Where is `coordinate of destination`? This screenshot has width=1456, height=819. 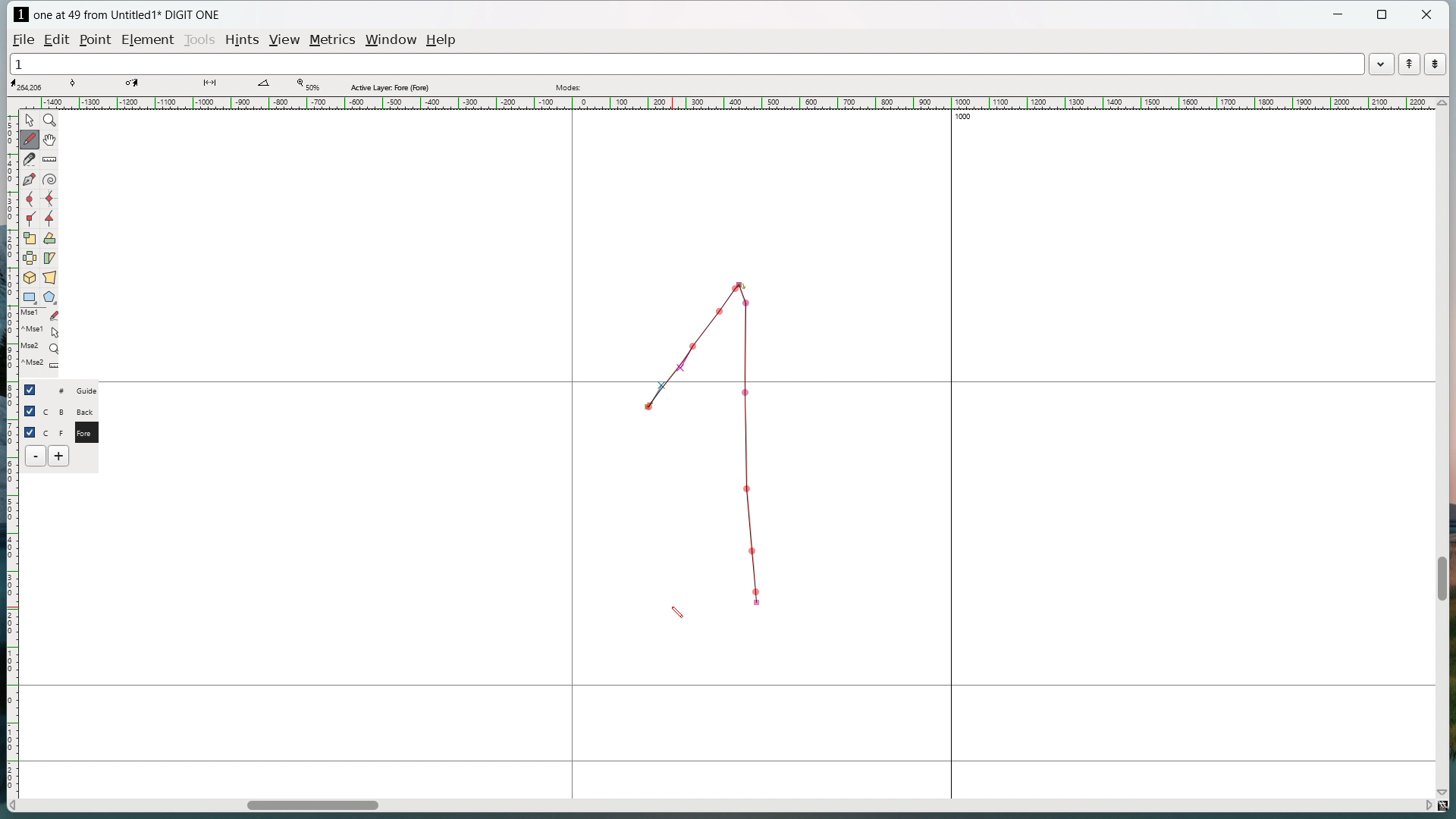 coordinate of destination is located at coordinates (146, 85).